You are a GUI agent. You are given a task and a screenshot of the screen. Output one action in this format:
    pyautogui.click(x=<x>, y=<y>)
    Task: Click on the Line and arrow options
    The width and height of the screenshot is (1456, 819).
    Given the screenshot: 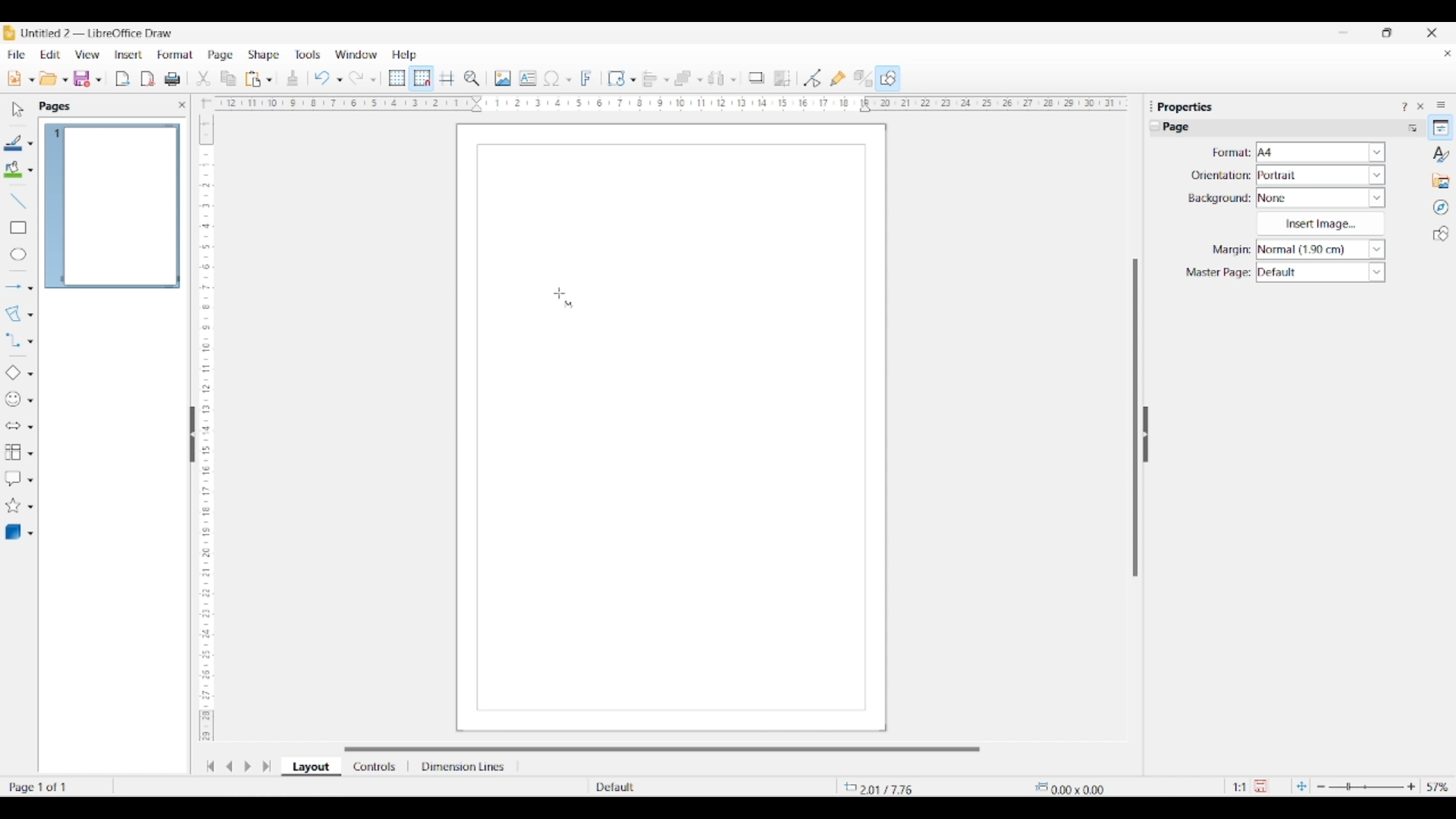 What is the action you would take?
    pyautogui.click(x=30, y=288)
    